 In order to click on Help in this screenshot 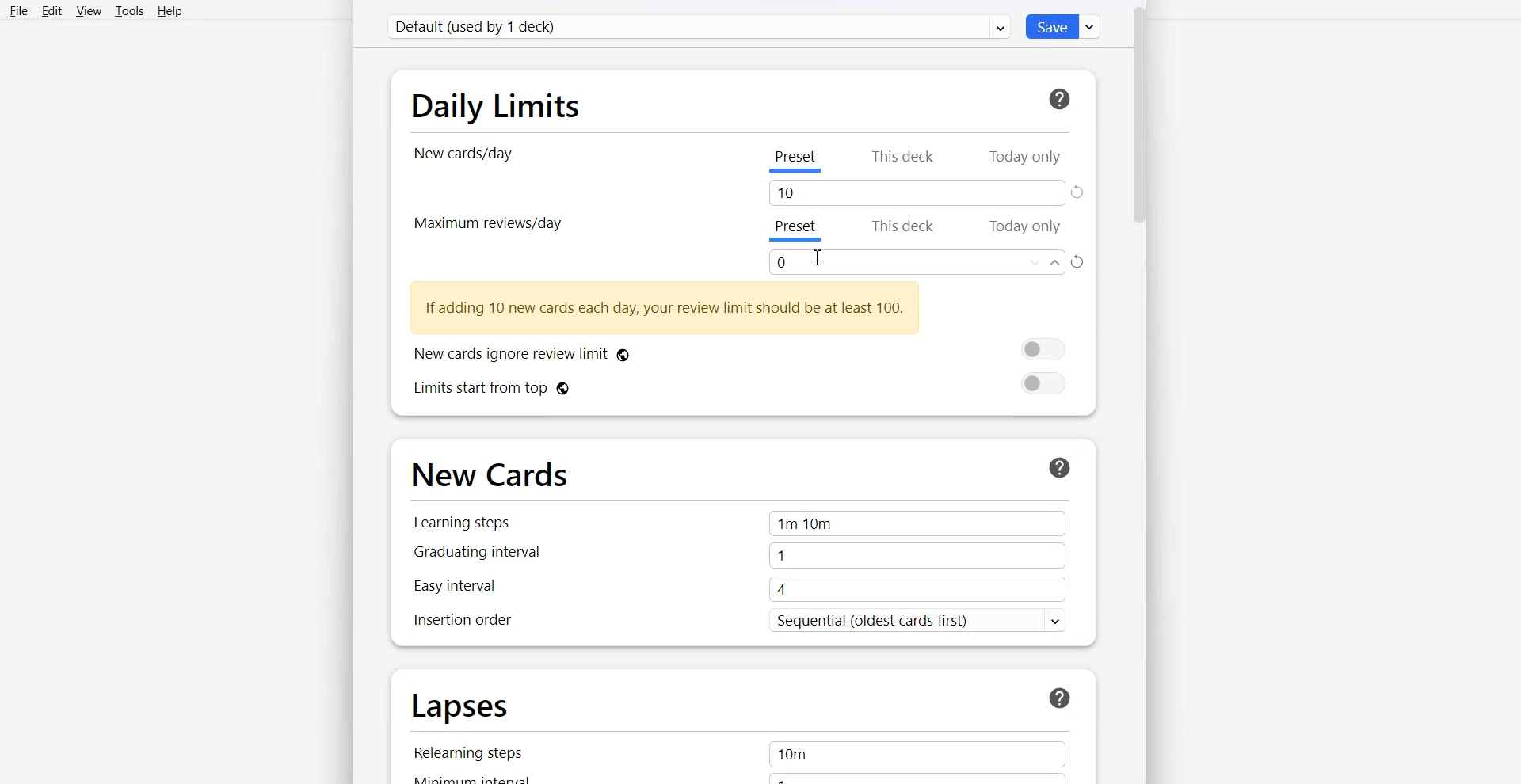, I will do `click(1062, 698)`.